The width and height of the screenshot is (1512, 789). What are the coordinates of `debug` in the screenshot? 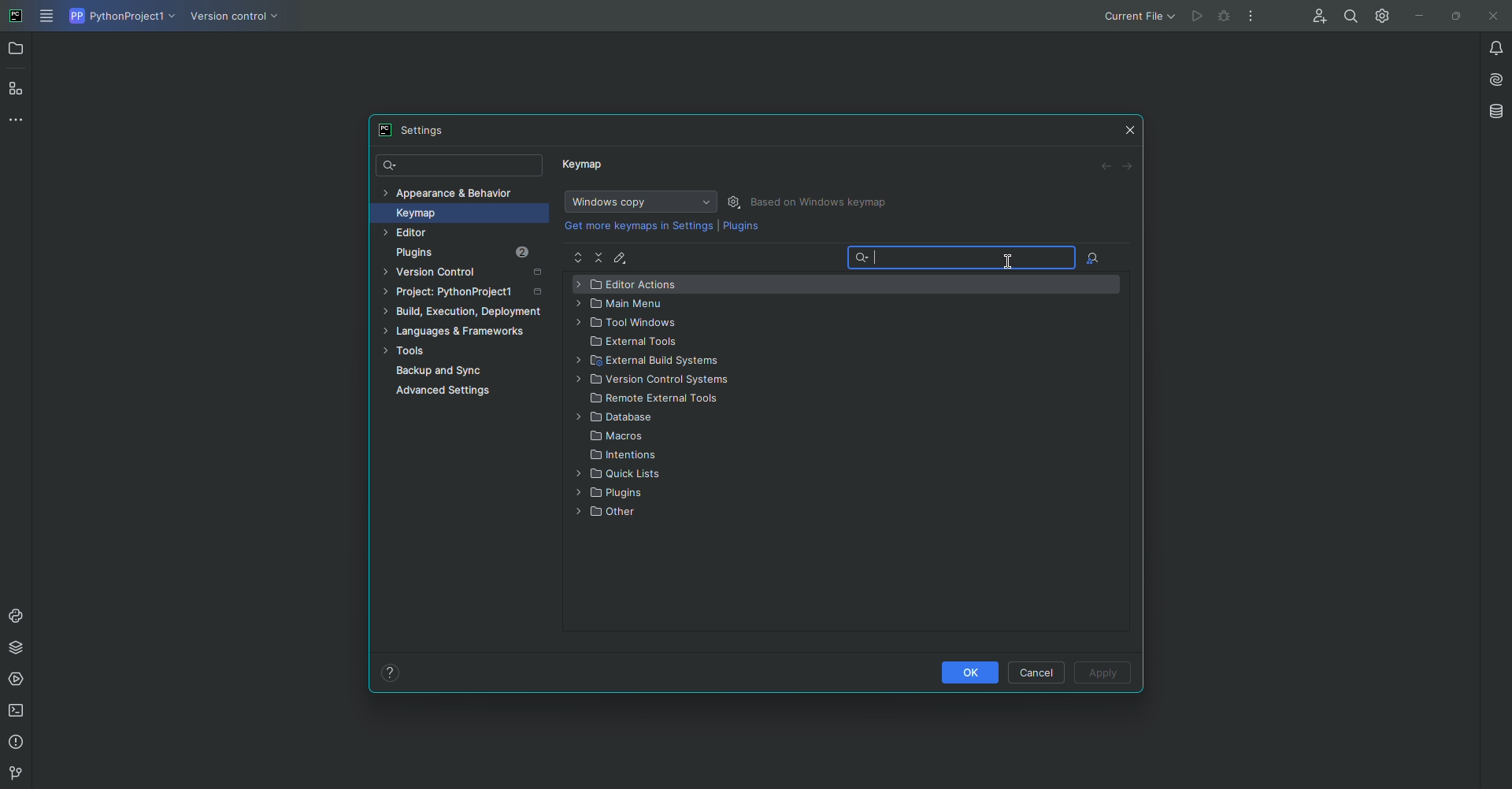 It's located at (1225, 17).